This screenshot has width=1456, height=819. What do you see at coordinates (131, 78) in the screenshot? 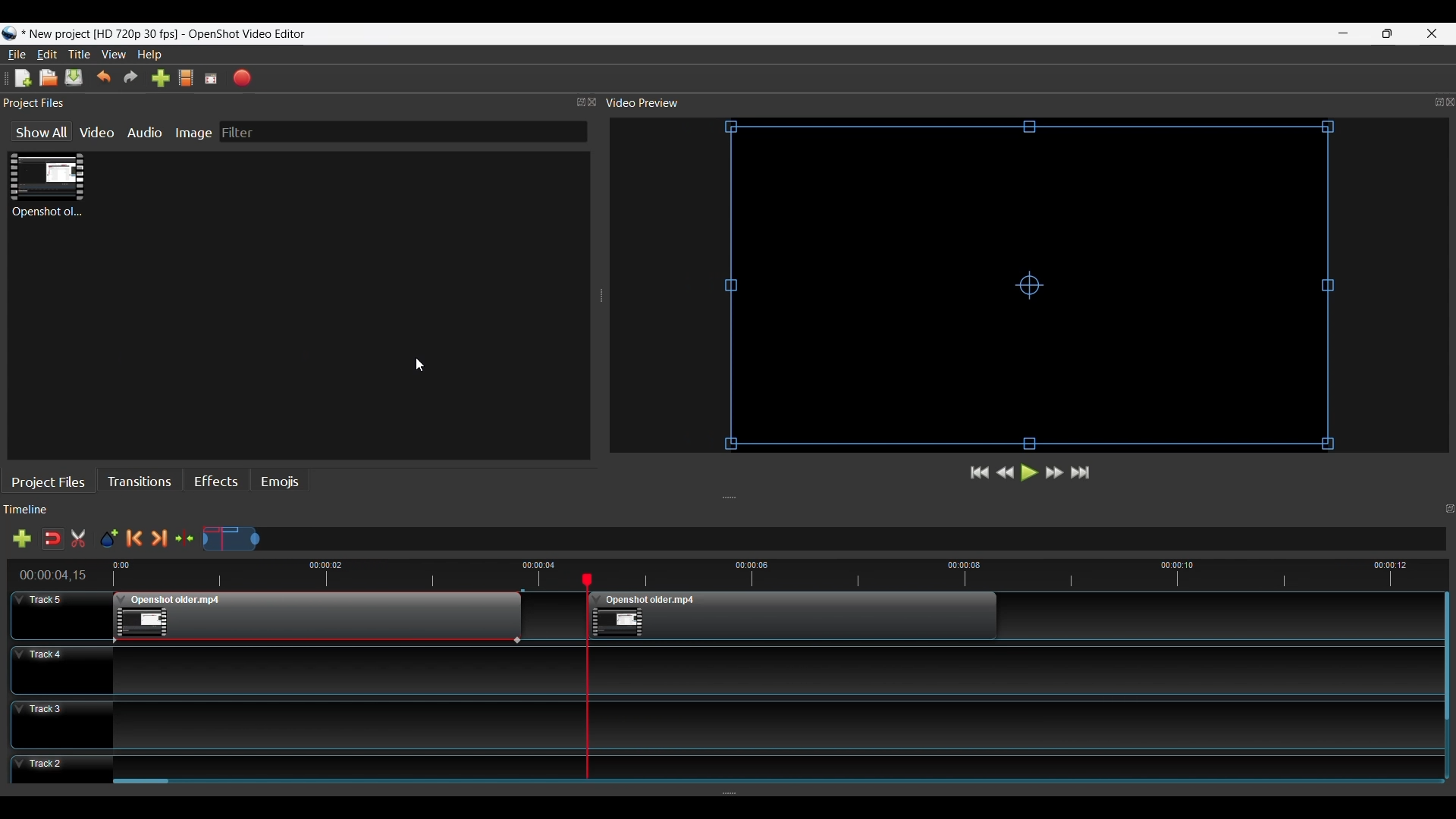
I see `Redo` at bounding box center [131, 78].